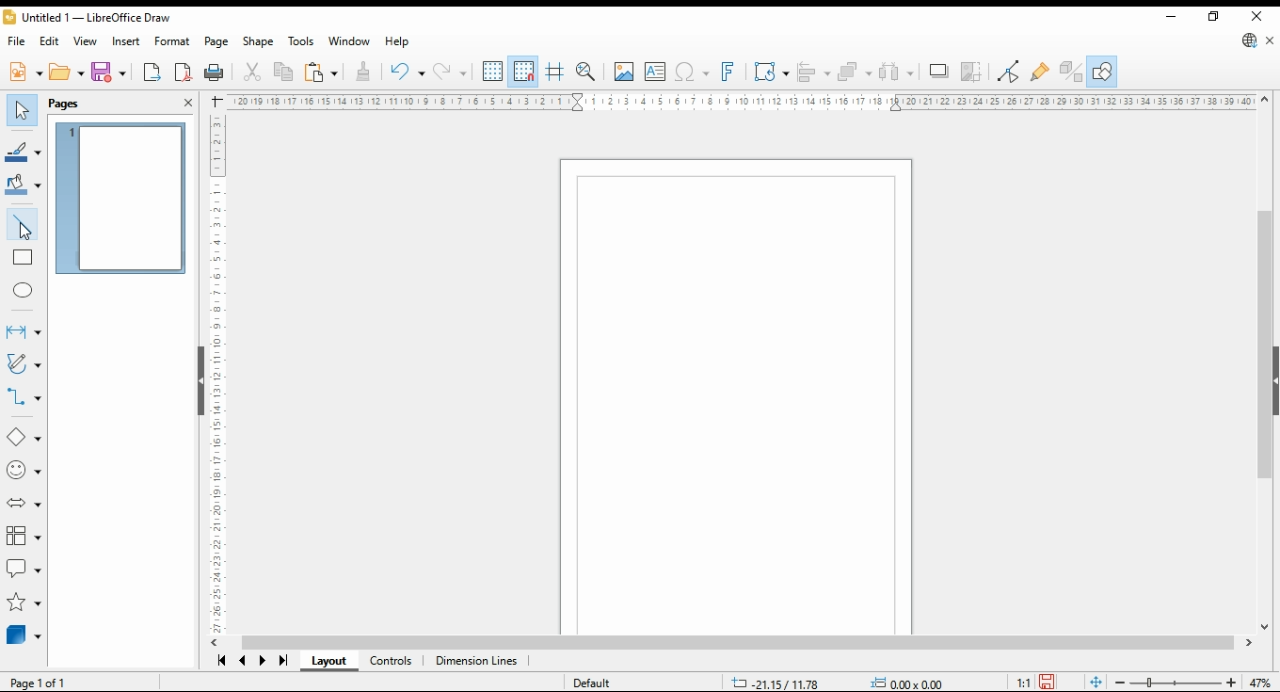 The width and height of the screenshot is (1280, 692). What do you see at coordinates (655, 73) in the screenshot?
I see `insert textbox` at bounding box center [655, 73].